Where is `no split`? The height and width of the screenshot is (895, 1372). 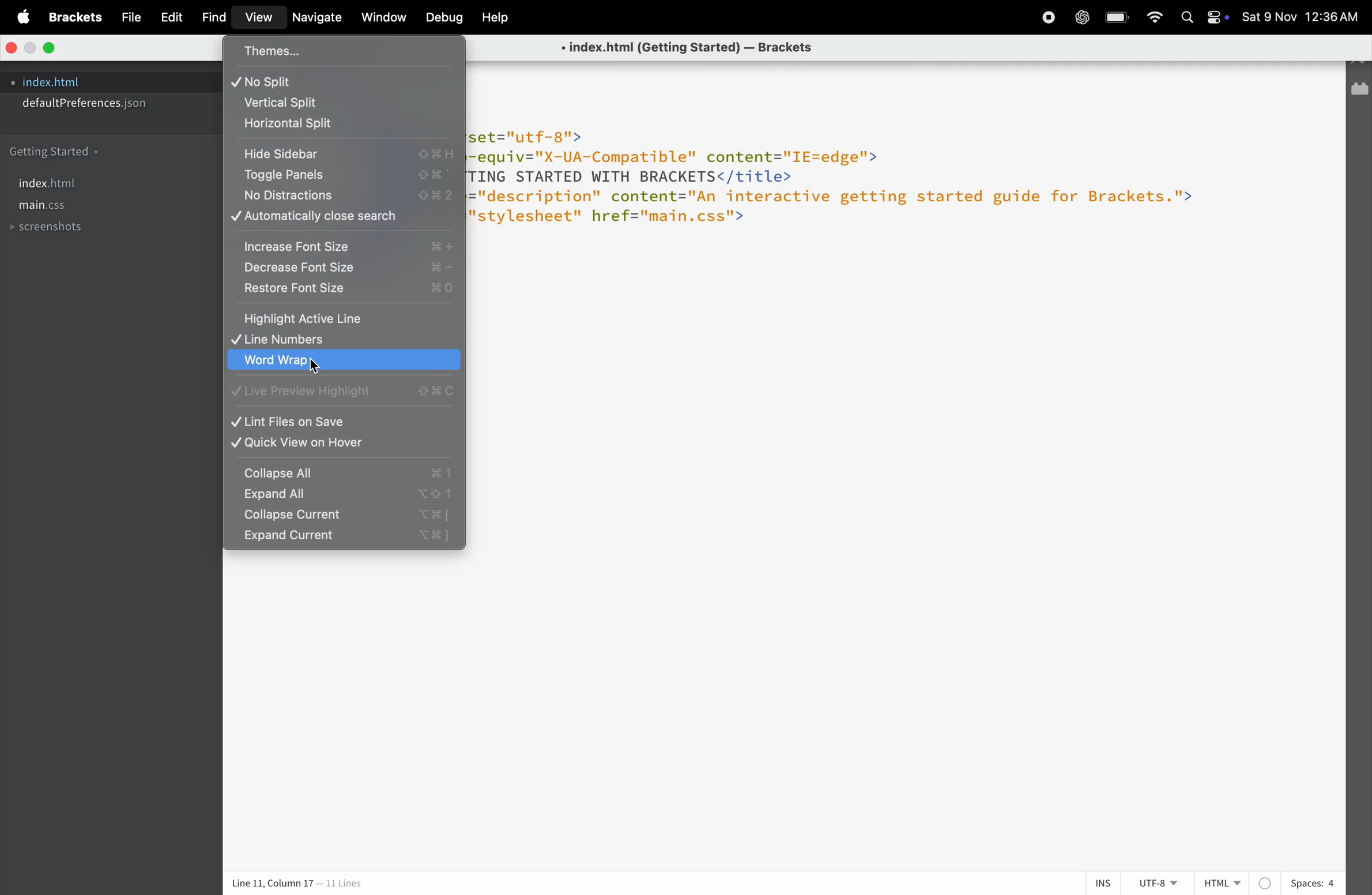
no split is located at coordinates (339, 81).